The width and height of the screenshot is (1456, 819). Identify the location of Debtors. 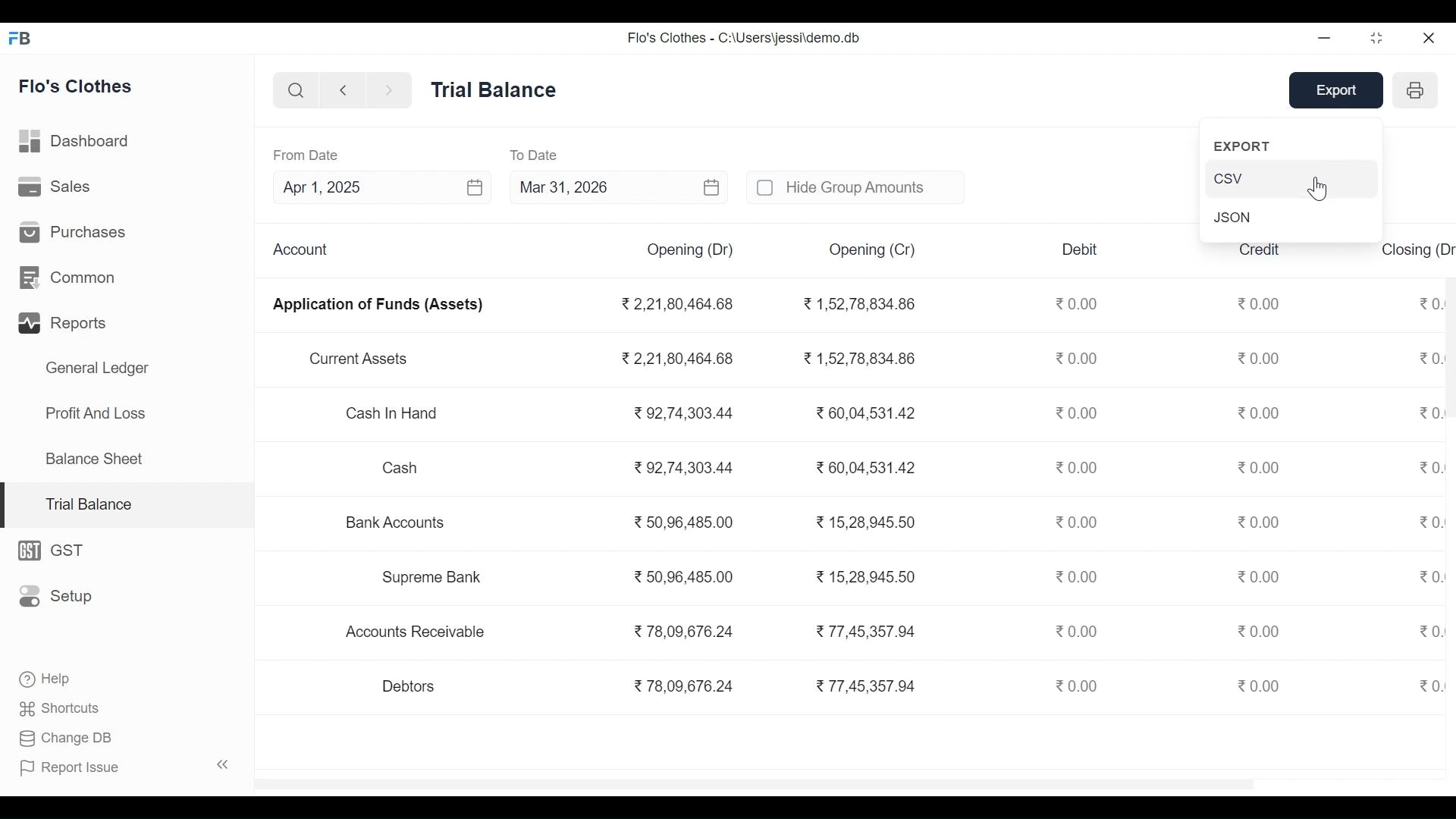
(410, 686).